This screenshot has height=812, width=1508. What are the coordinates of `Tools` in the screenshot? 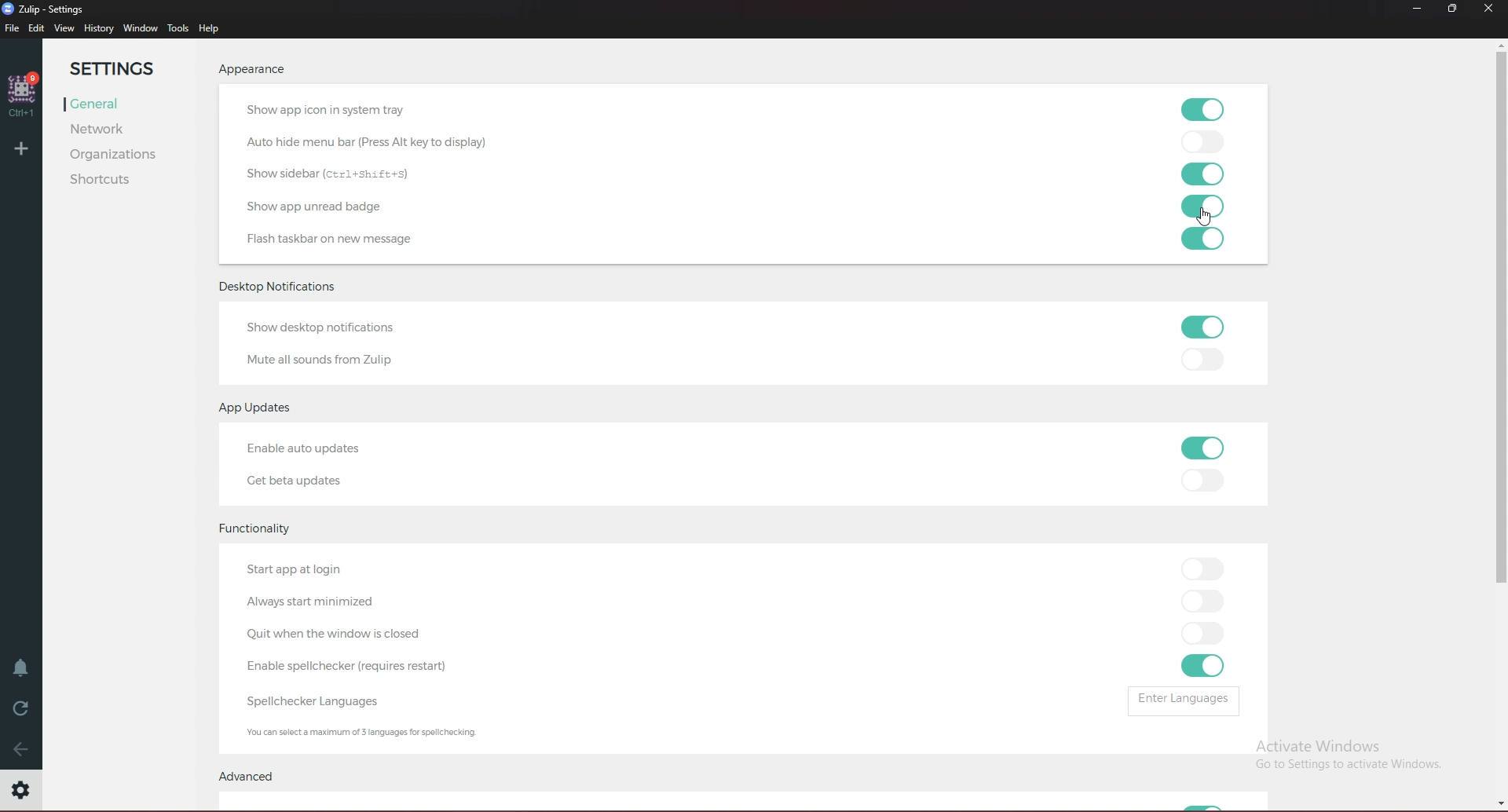 It's located at (178, 29).